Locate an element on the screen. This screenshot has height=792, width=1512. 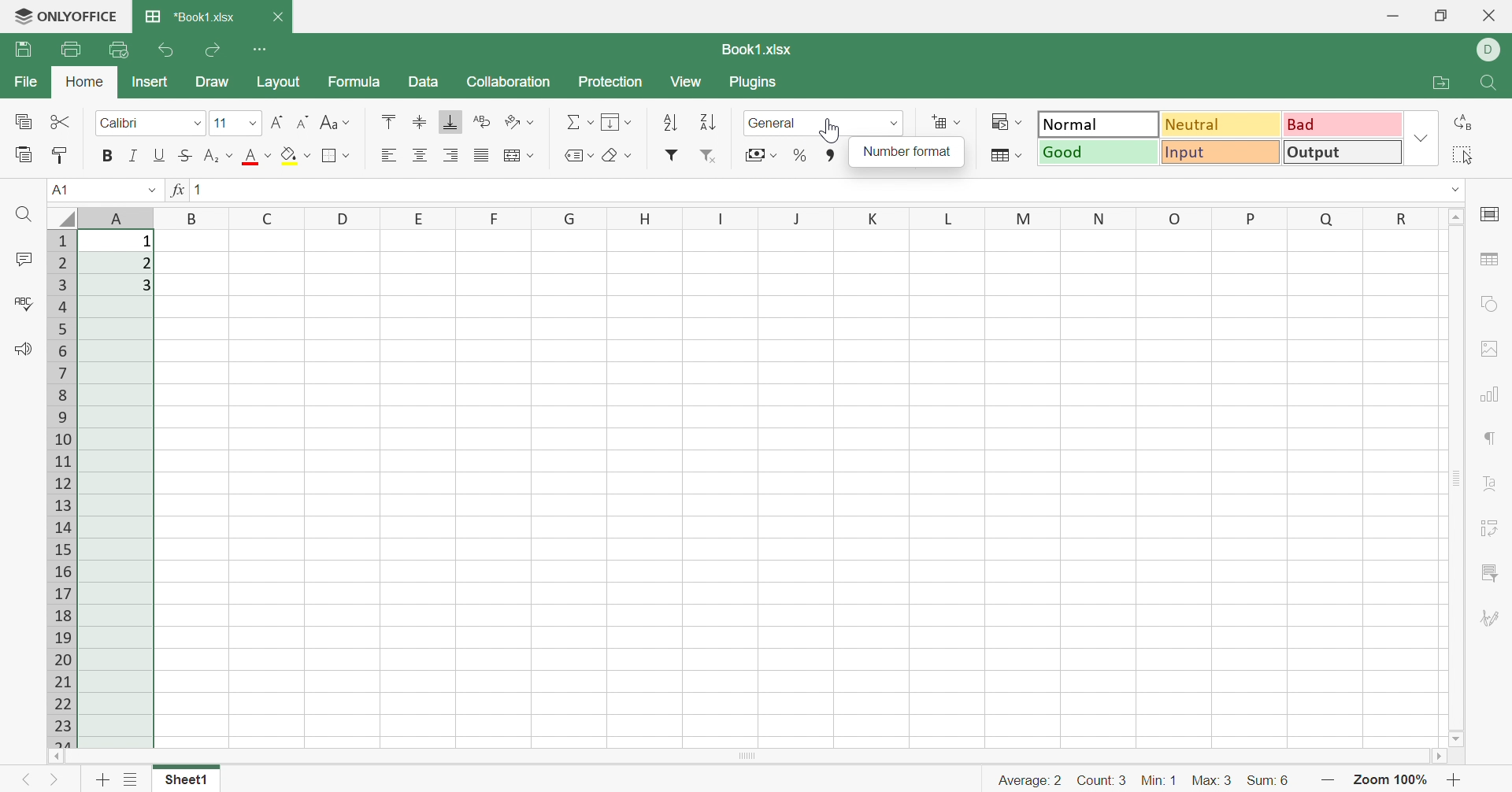
Sort ascending is located at coordinates (670, 124).